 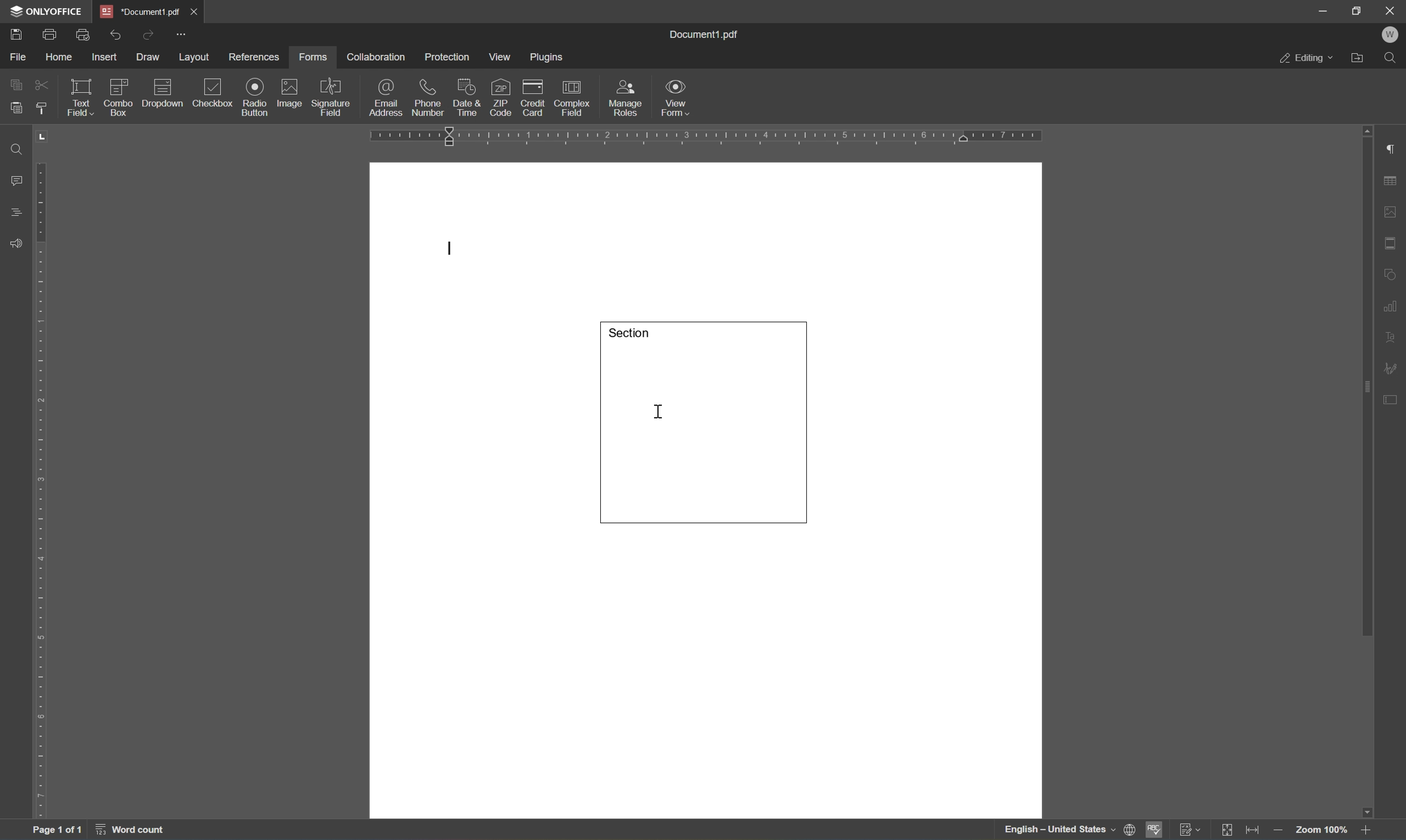 I want to click on fit to slide, so click(x=1228, y=830).